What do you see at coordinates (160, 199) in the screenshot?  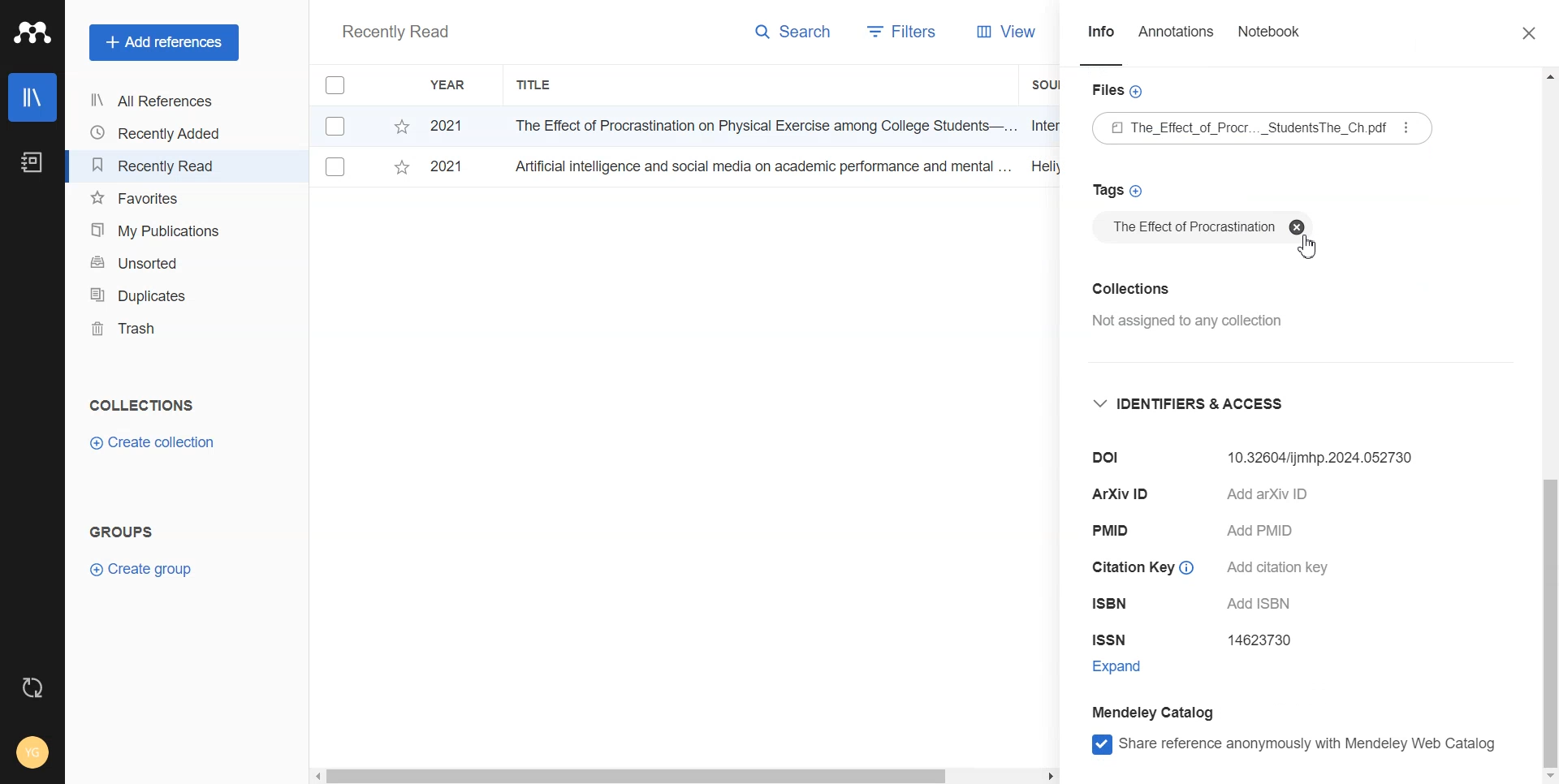 I see `Favourites` at bounding box center [160, 199].